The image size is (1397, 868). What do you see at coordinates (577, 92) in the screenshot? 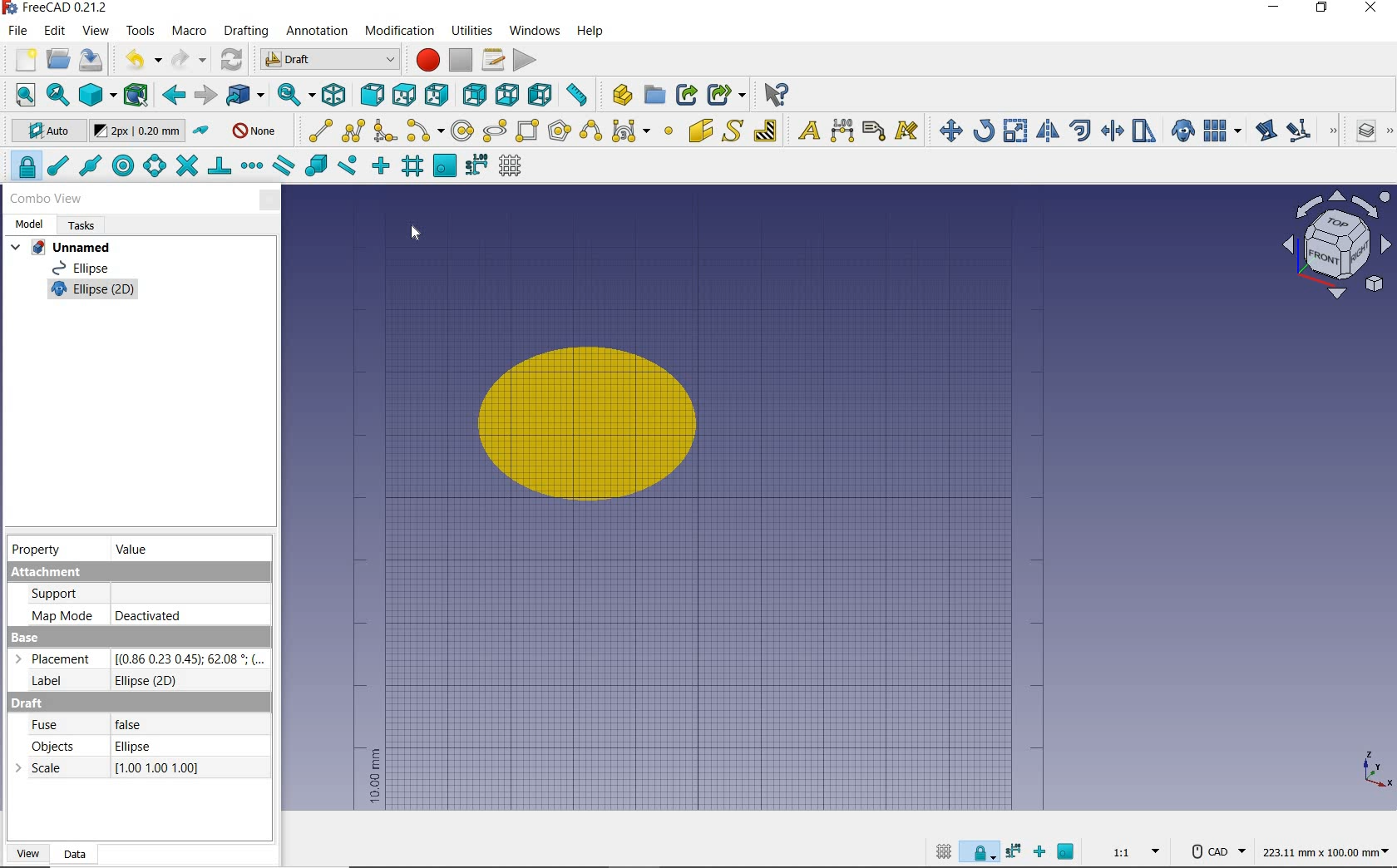
I see `measure distance` at bounding box center [577, 92].